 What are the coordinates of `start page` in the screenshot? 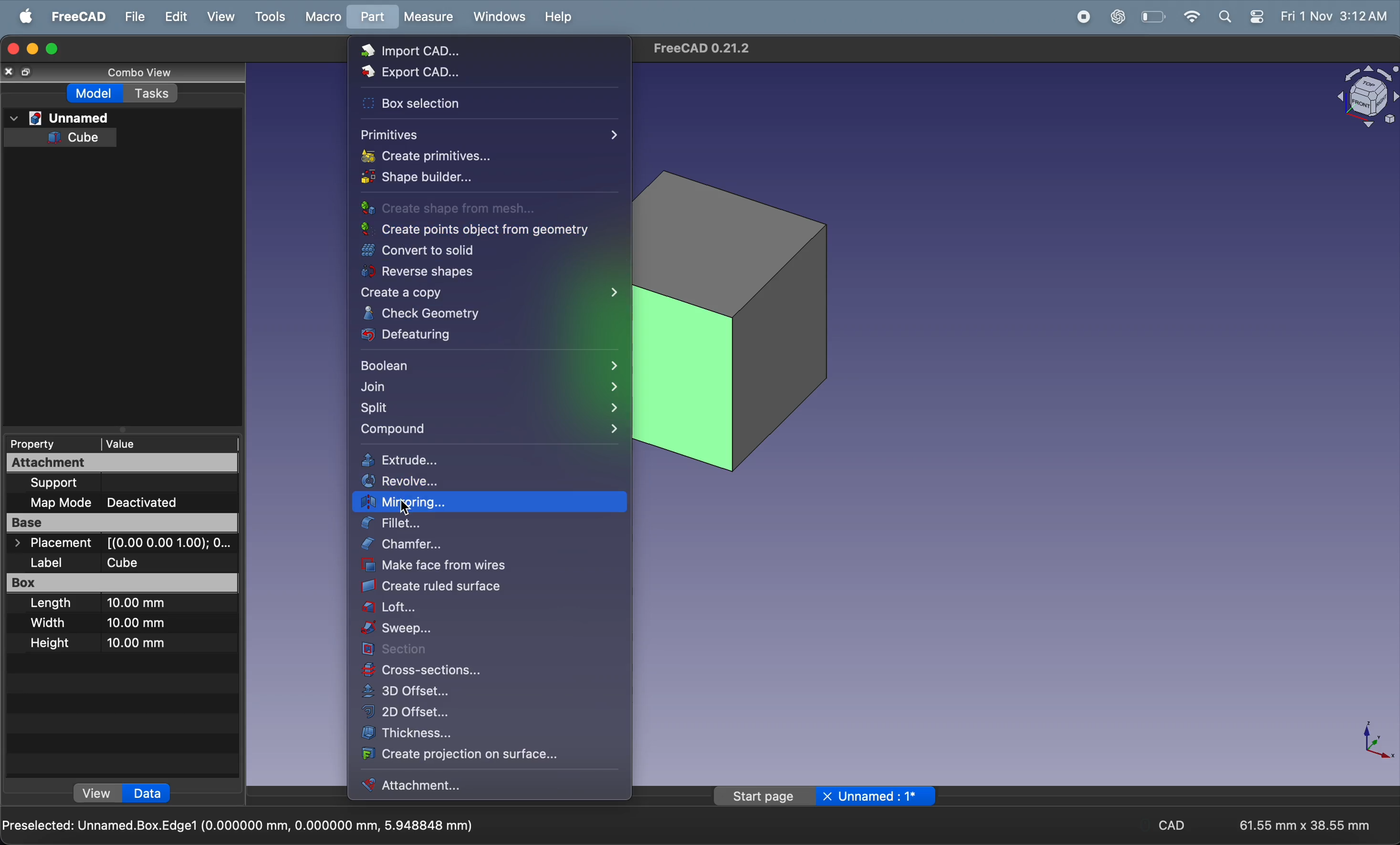 It's located at (763, 797).